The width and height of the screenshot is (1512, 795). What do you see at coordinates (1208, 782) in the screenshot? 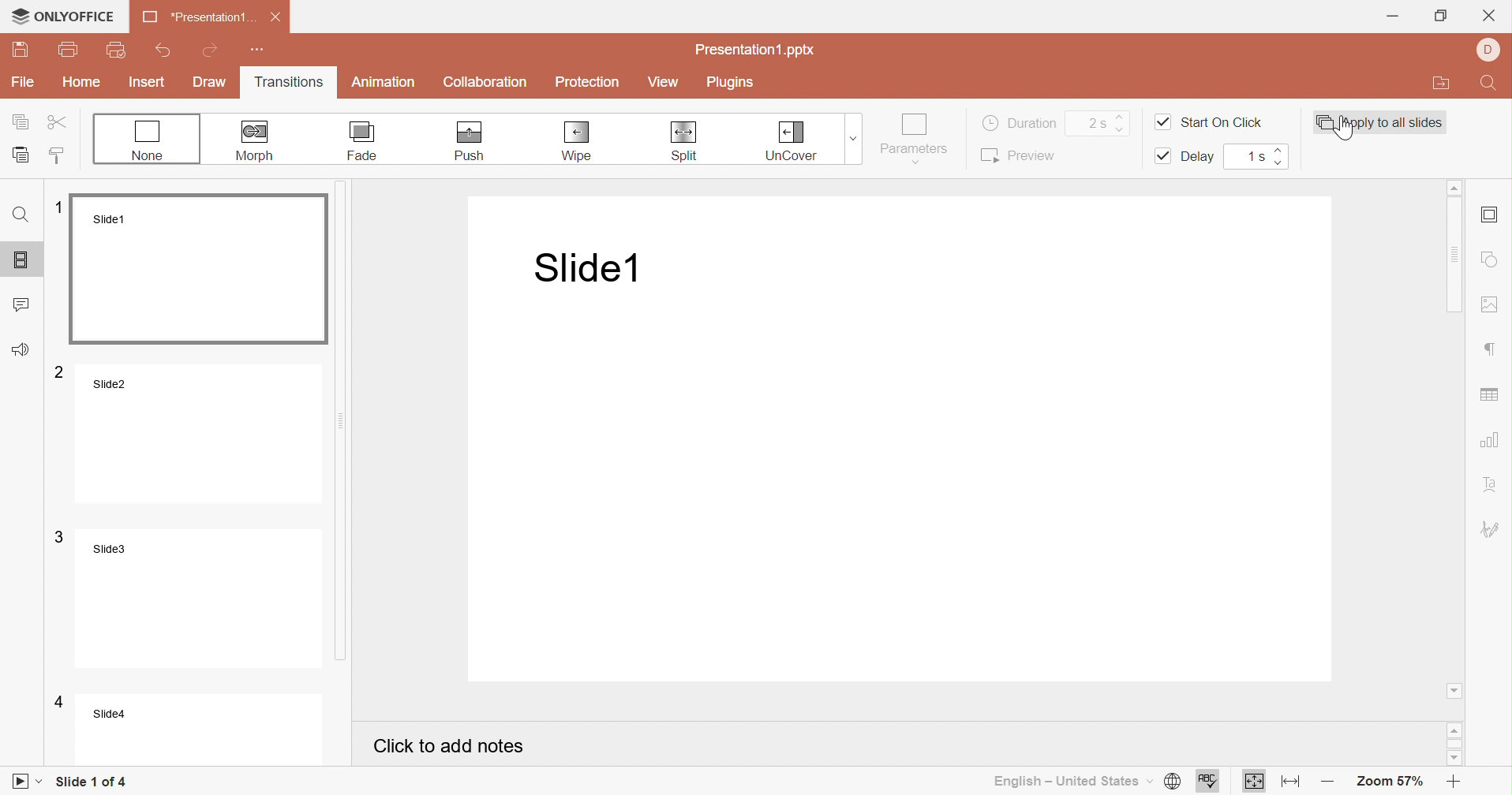
I see `Spell checking` at bounding box center [1208, 782].